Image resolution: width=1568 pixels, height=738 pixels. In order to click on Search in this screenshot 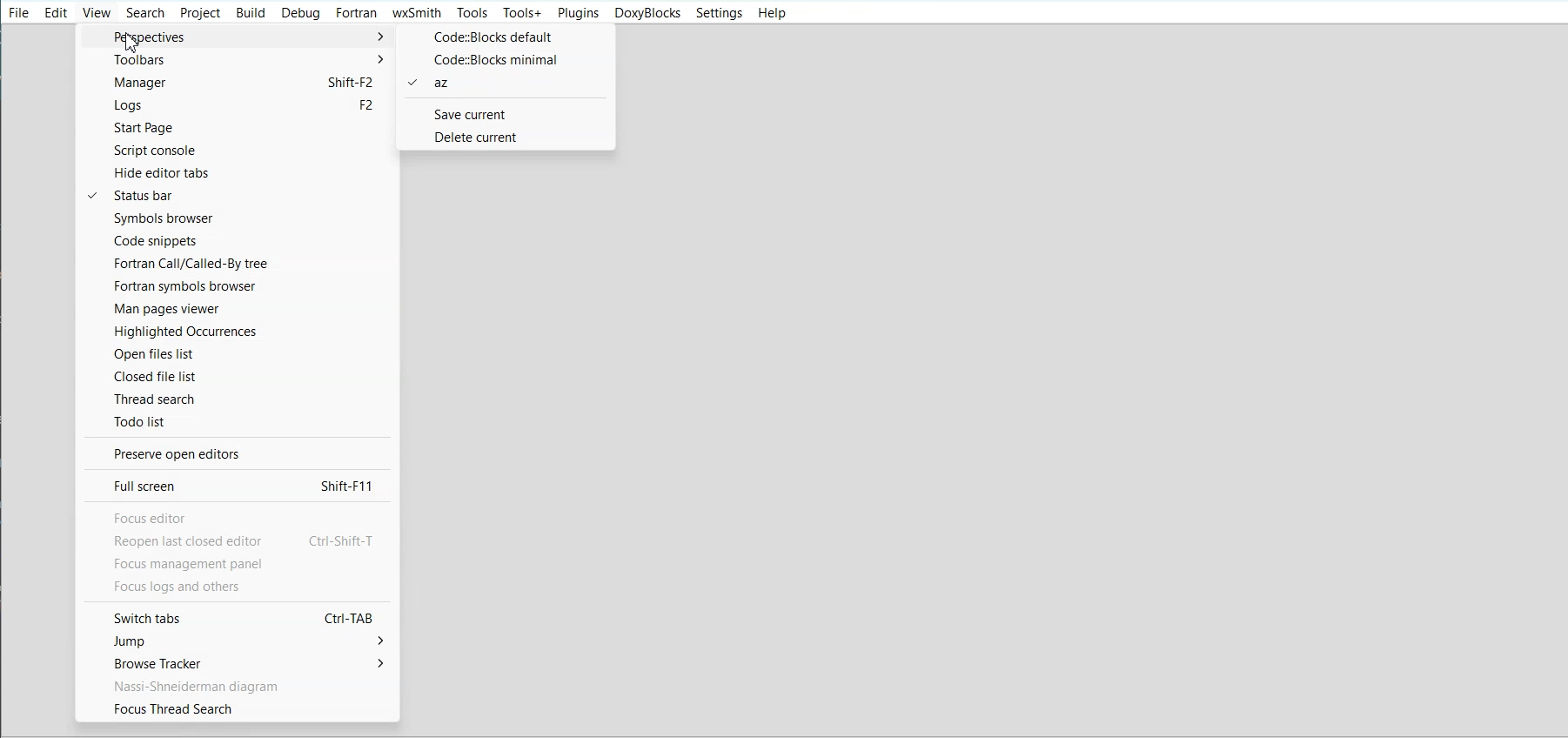, I will do `click(145, 12)`.